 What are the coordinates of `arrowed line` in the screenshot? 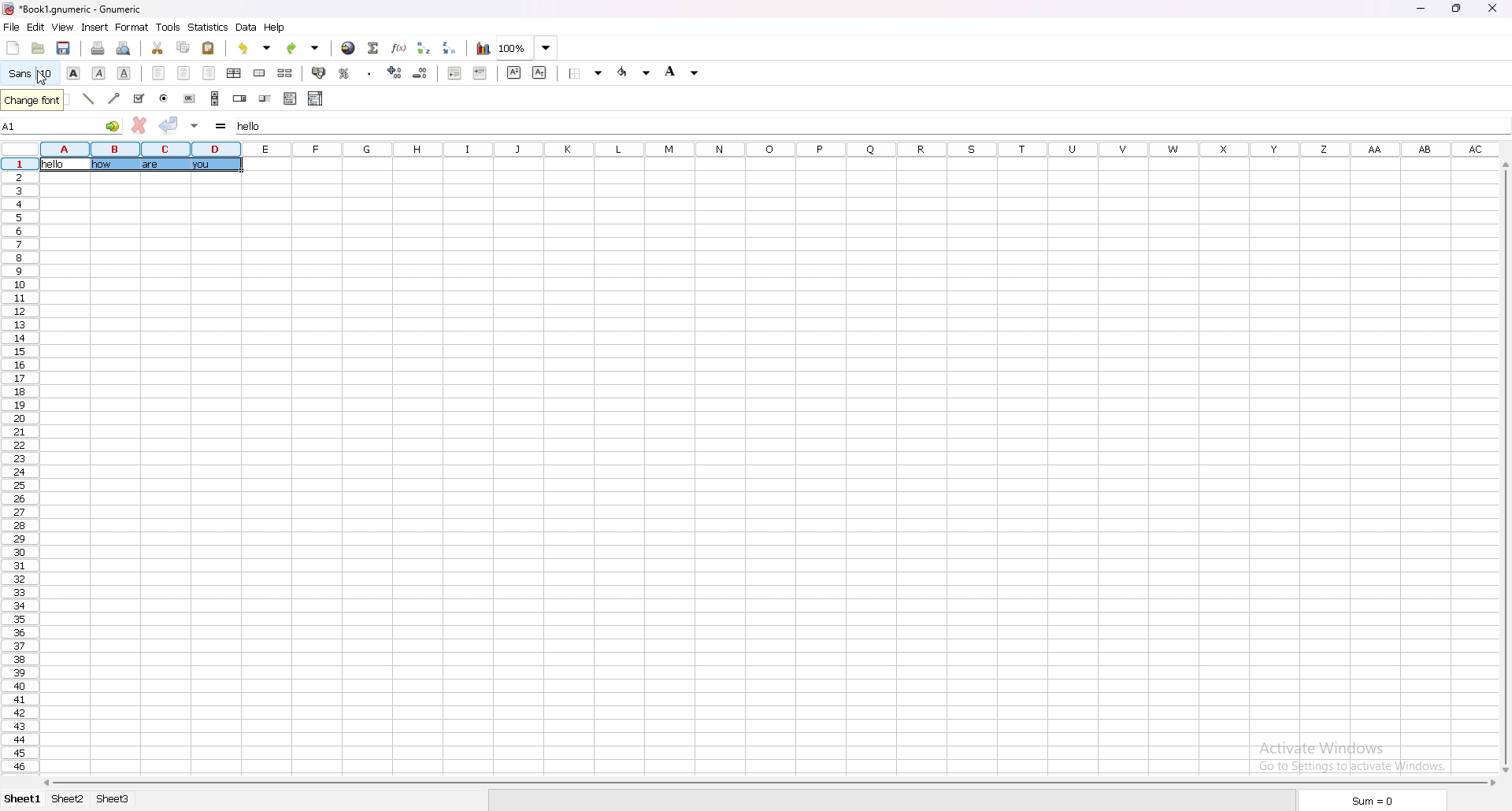 It's located at (113, 98).